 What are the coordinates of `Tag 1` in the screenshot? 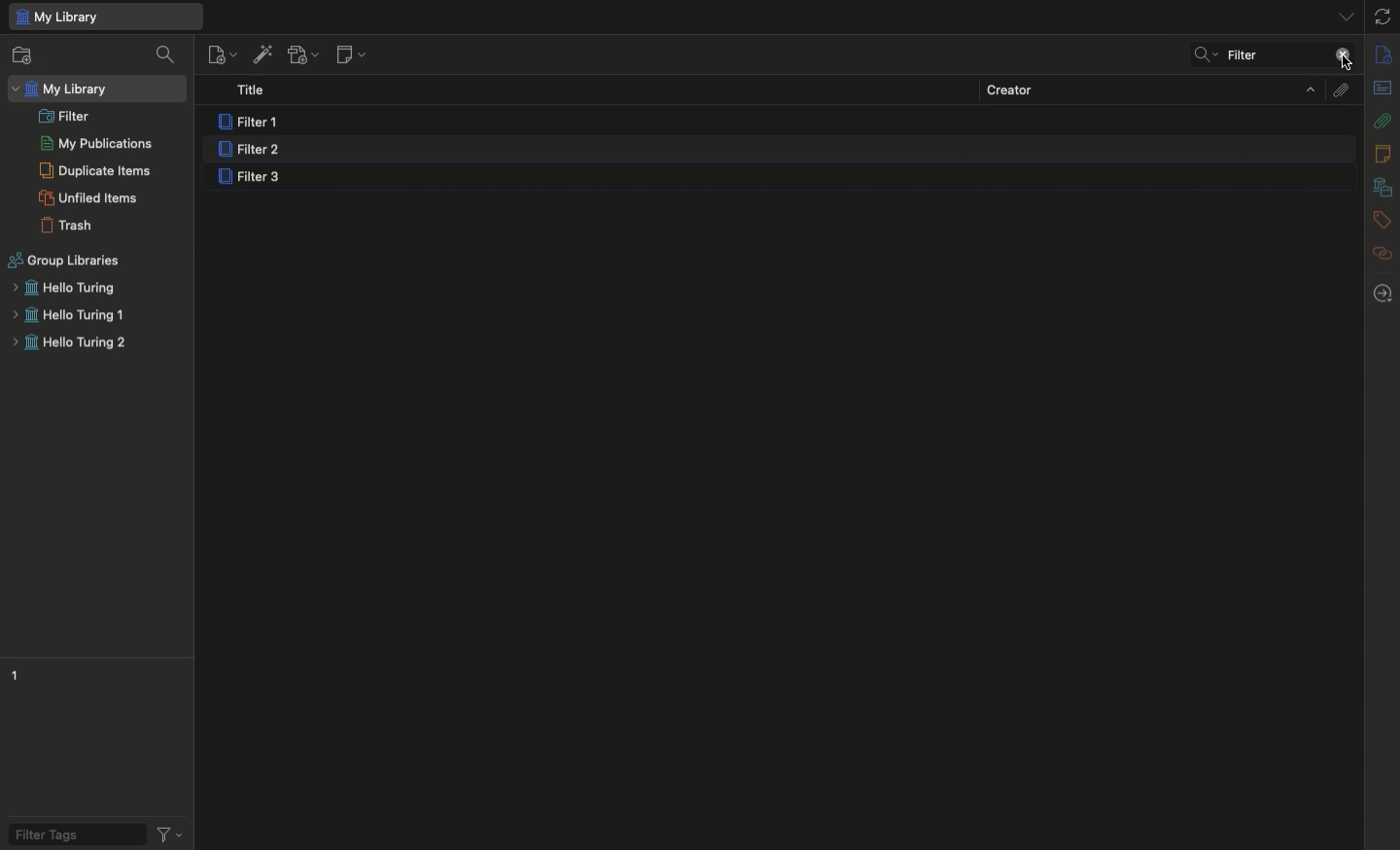 It's located at (18, 673).